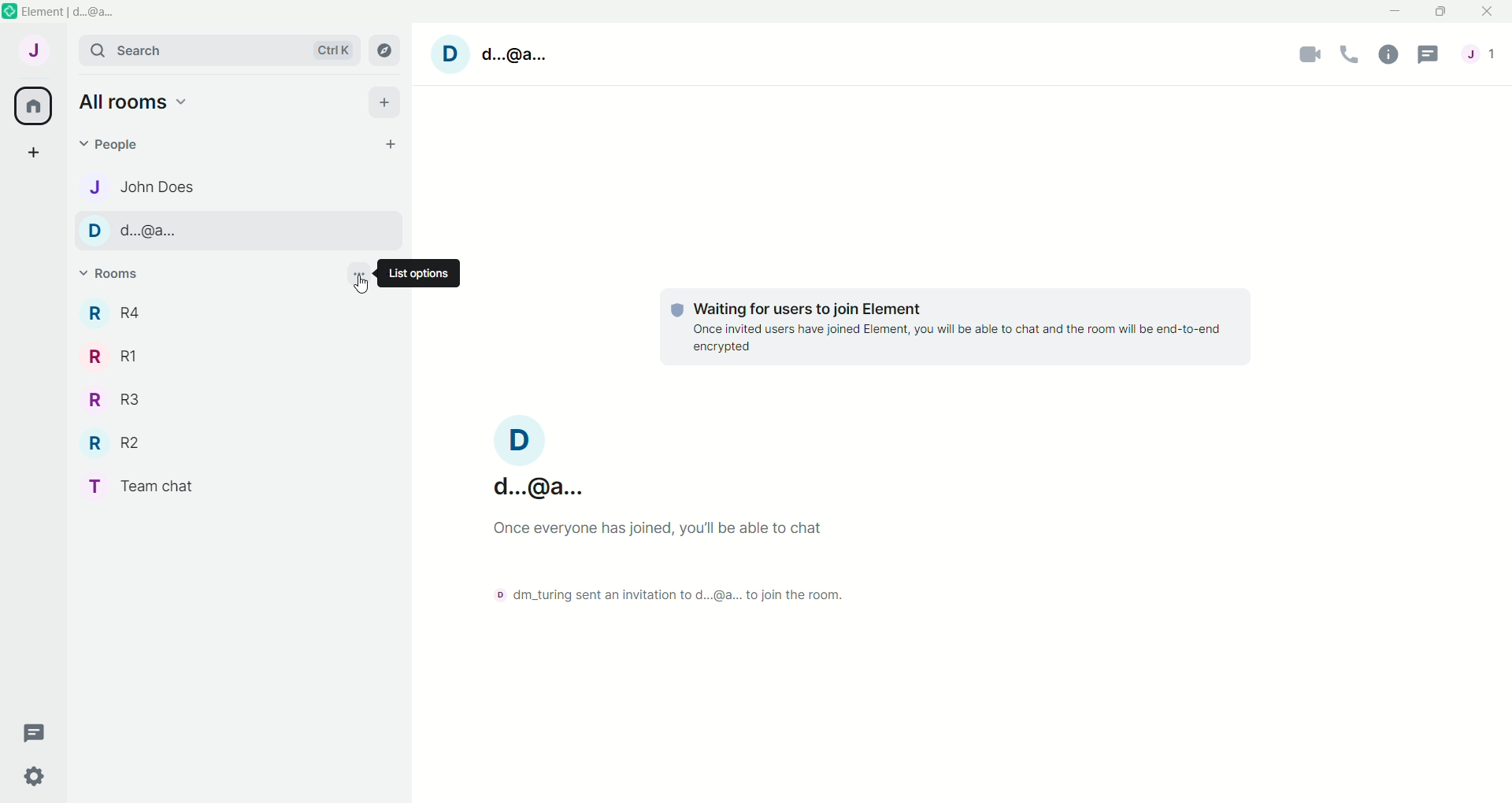 This screenshot has height=803, width=1512. I want to click on User menu, so click(35, 48).